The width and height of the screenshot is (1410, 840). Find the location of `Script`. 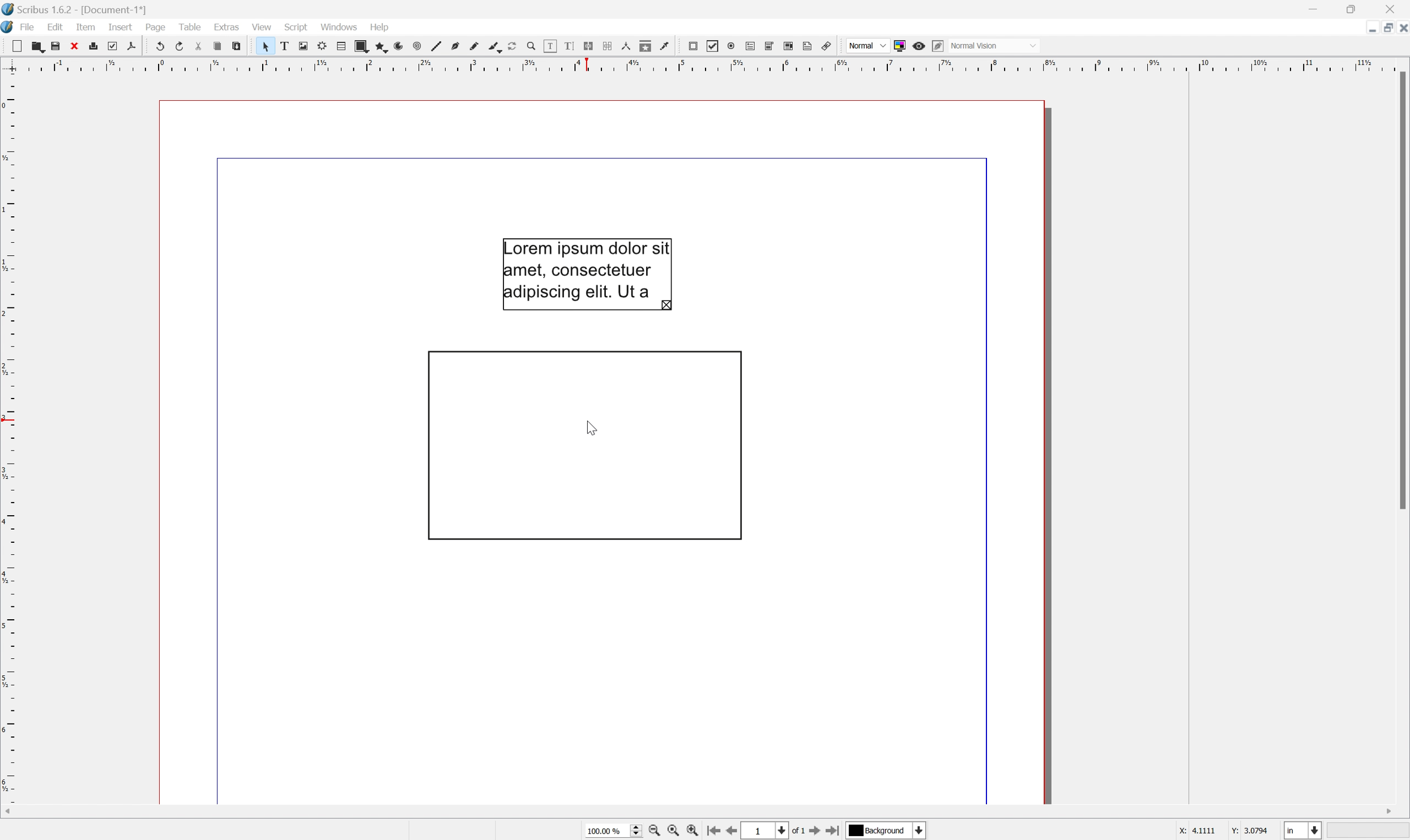

Script is located at coordinates (296, 25).